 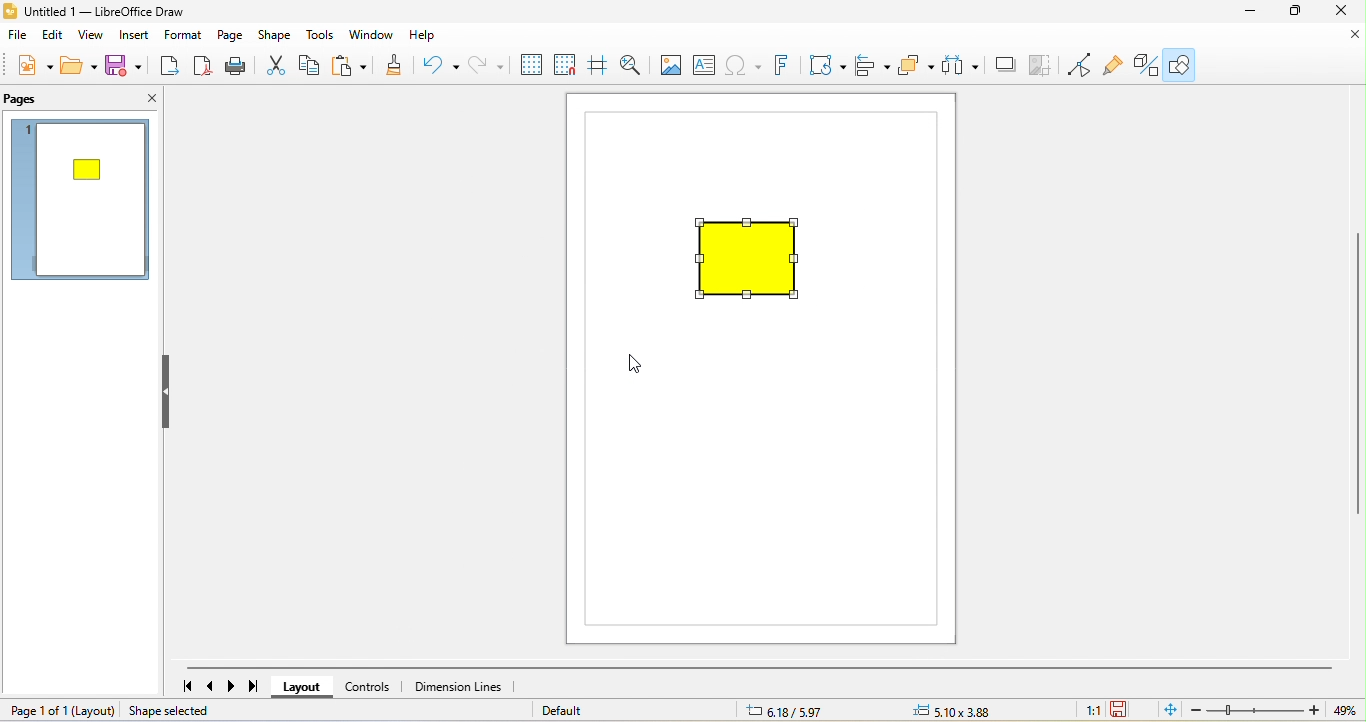 I want to click on format, so click(x=187, y=37).